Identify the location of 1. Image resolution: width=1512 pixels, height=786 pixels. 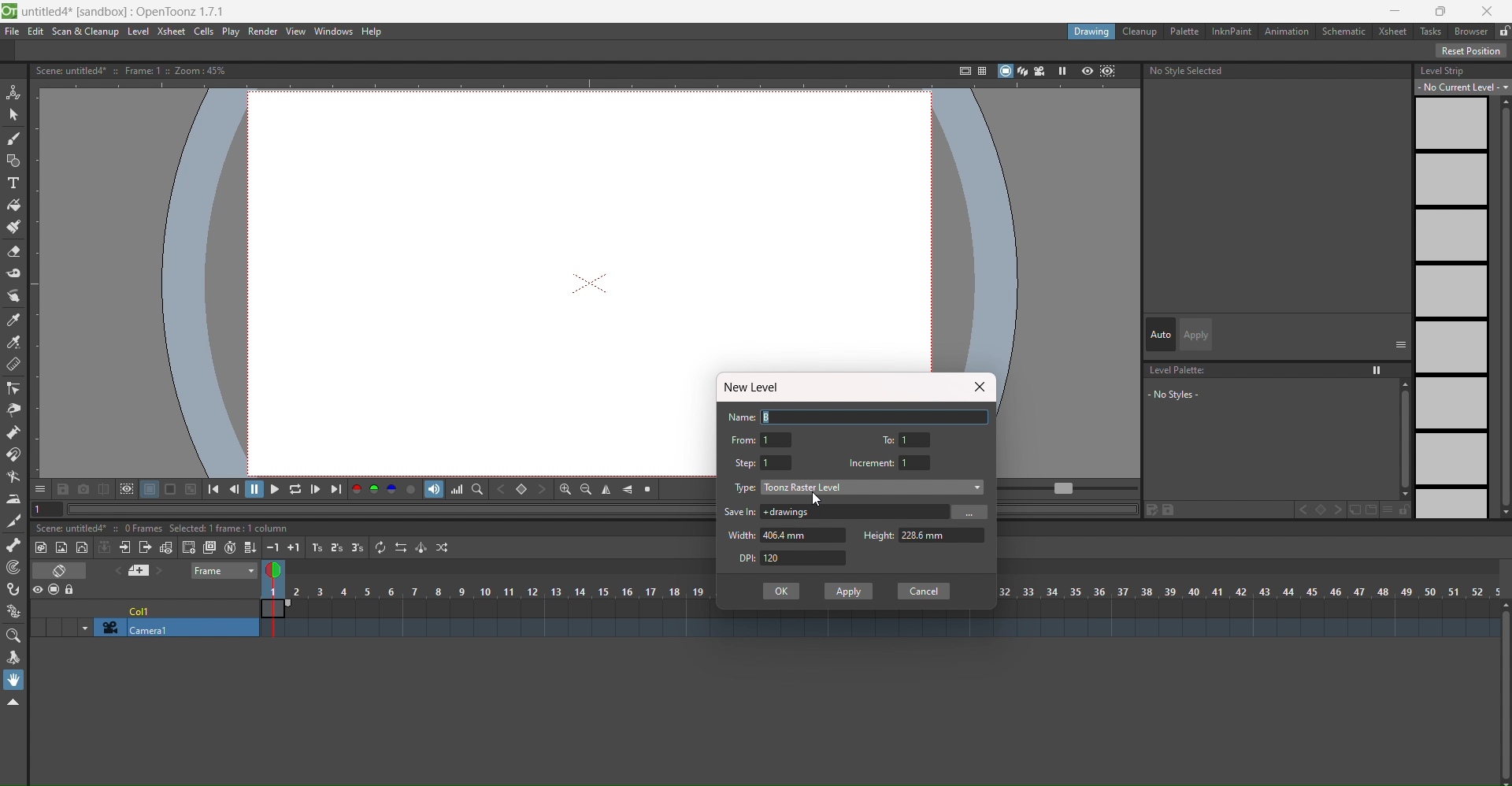
(917, 439).